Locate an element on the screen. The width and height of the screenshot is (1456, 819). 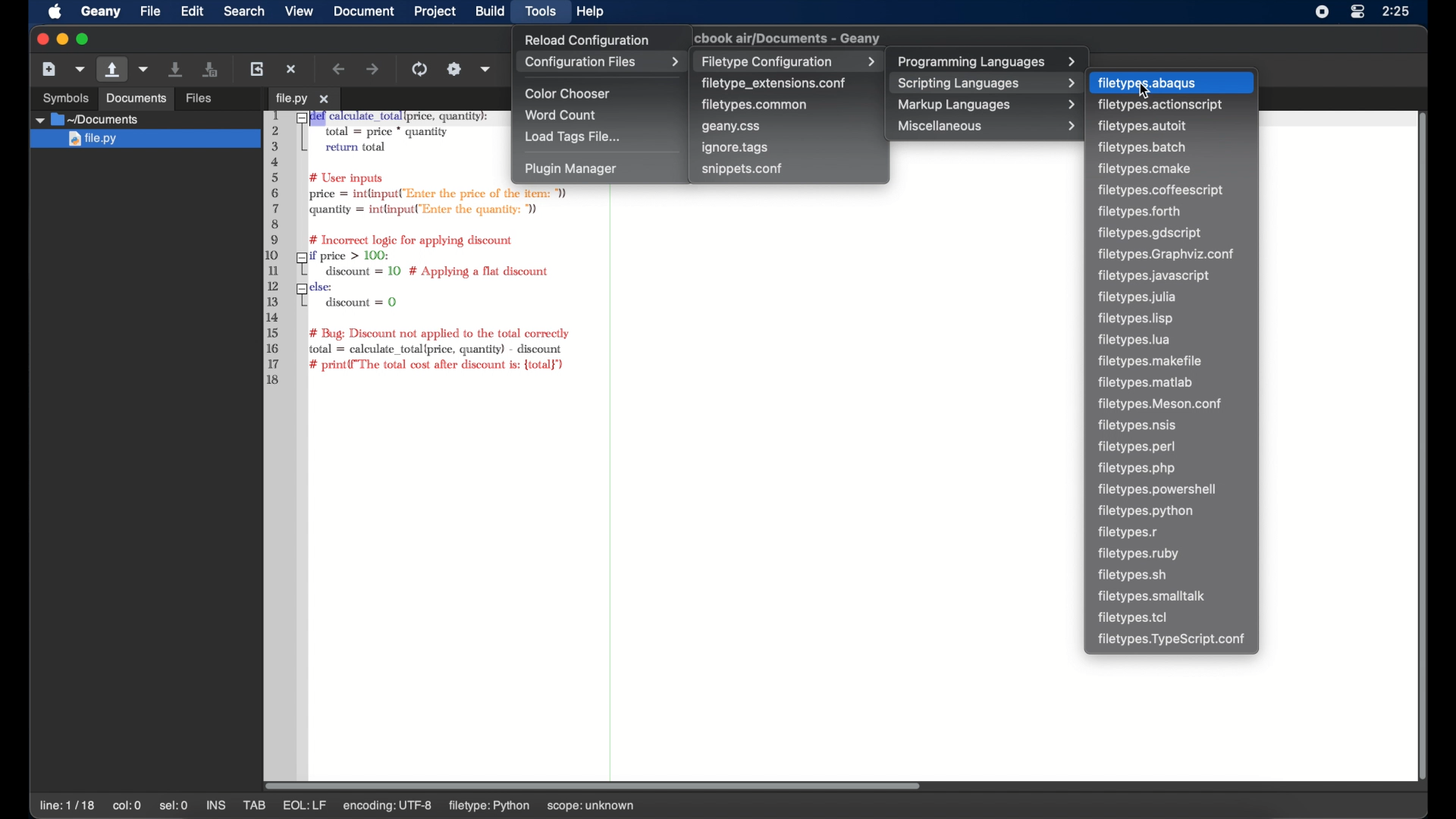
close the current file is located at coordinates (292, 69).